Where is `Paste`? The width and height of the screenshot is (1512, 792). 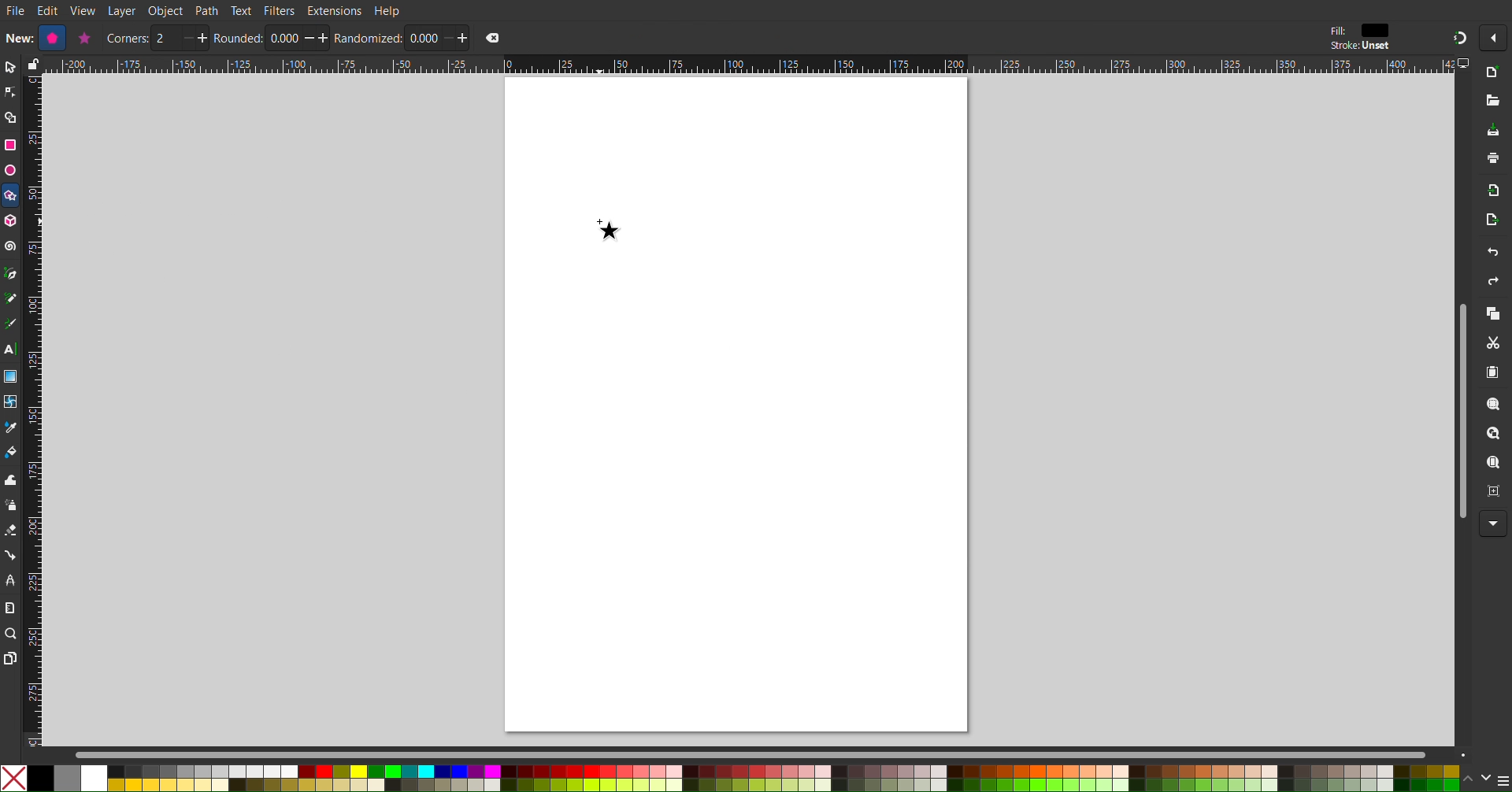 Paste is located at coordinates (1494, 373).